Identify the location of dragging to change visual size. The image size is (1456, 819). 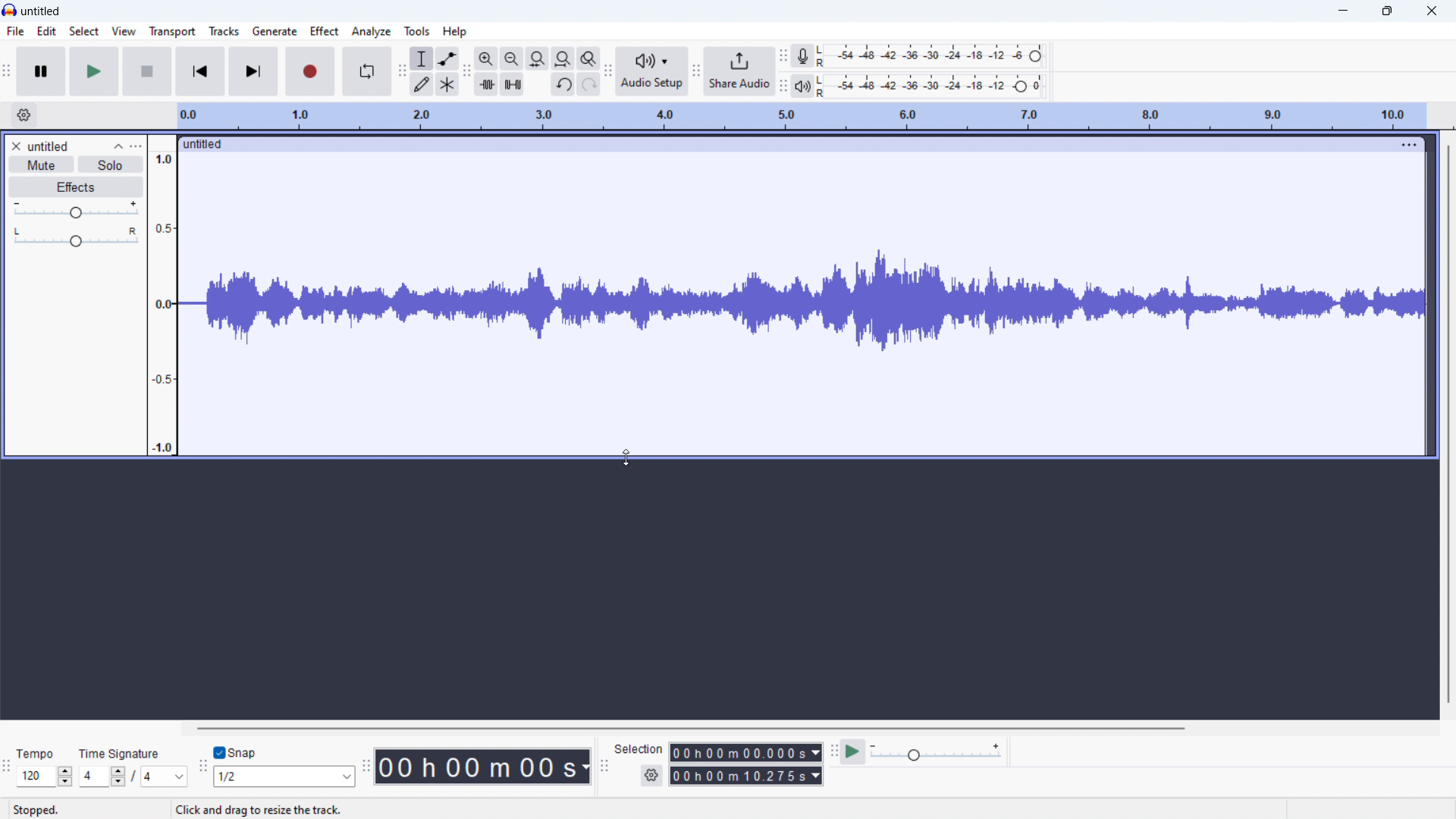
(803, 302).